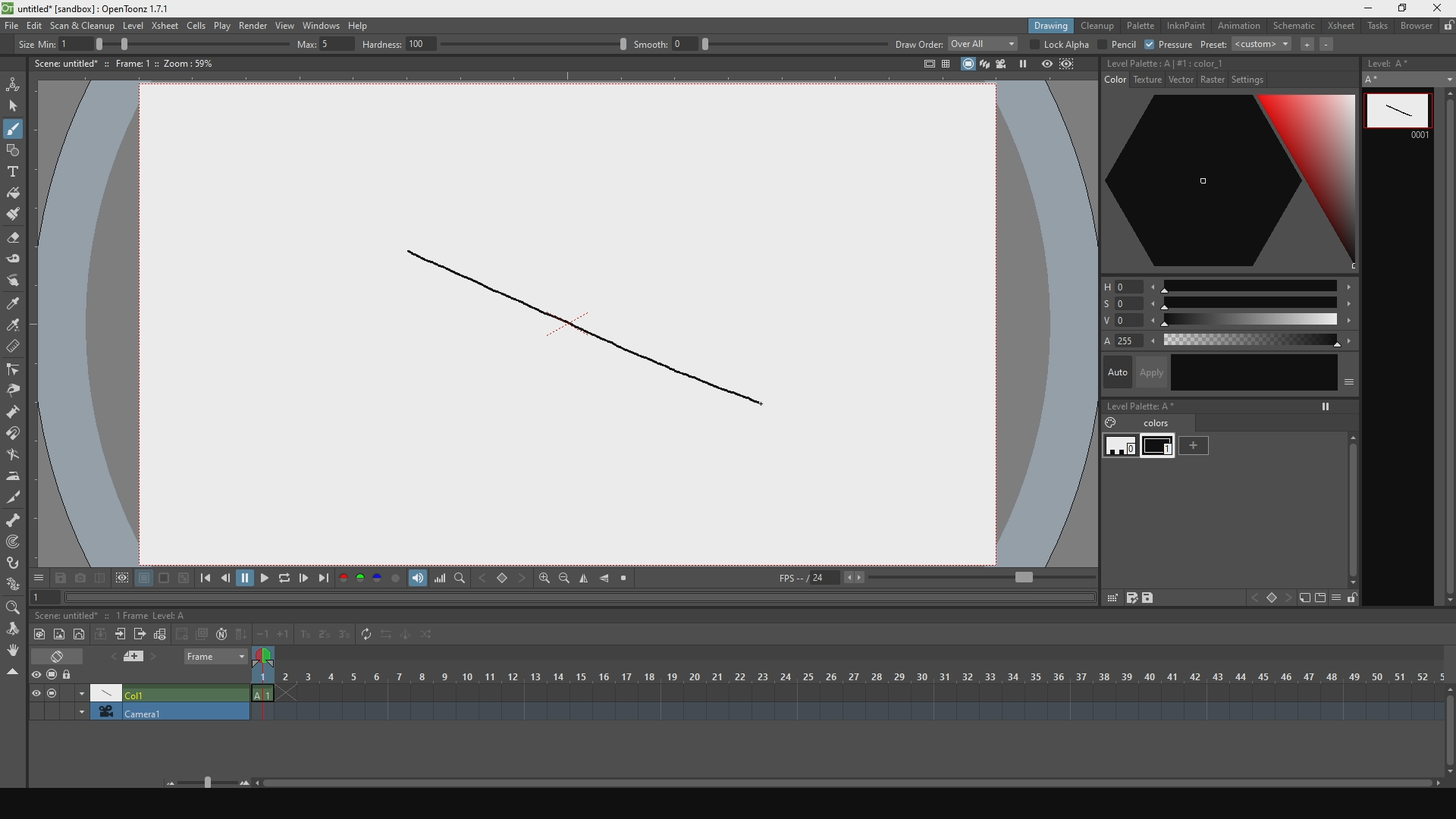 Image resolution: width=1456 pixels, height=819 pixels. Describe the element at coordinates (628, 579) in the screenshot. I see `stop` at that location.